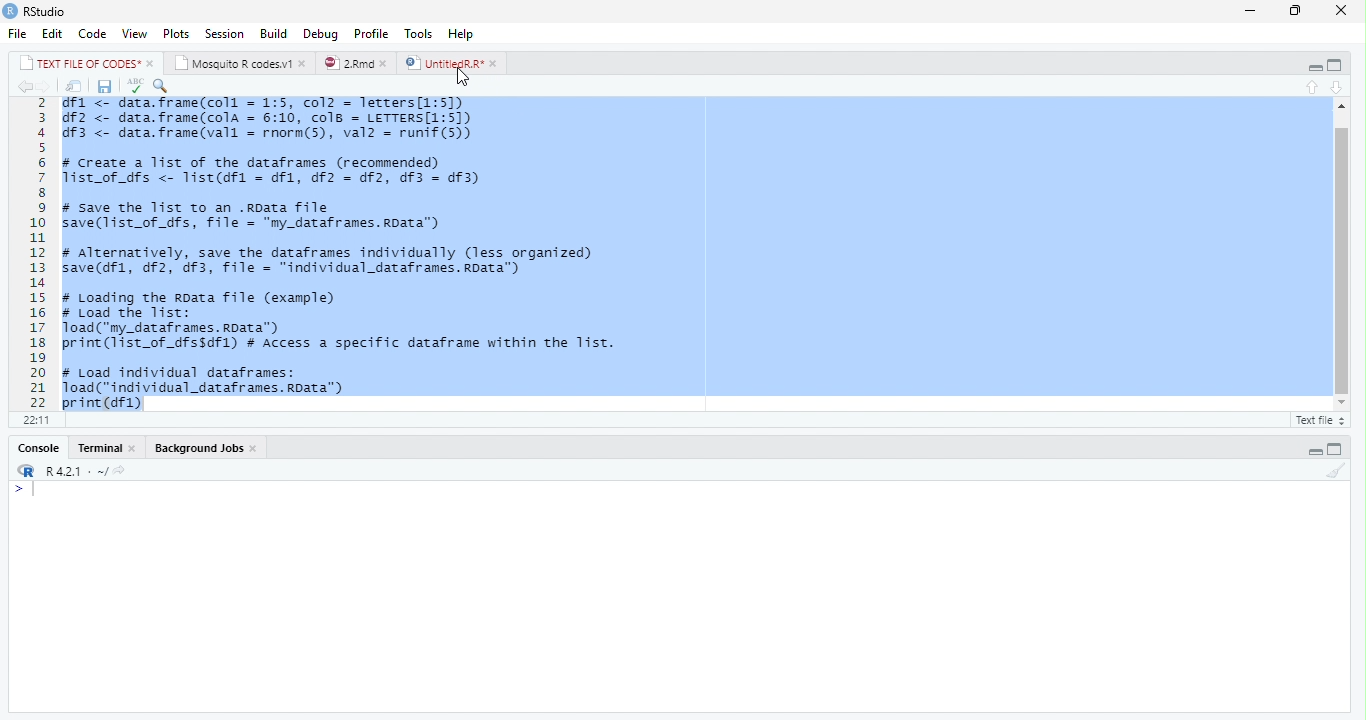 This screenshot has width=1366, height=720. Describe the element at coordinates (176, 33) in the screenshot. I see `Plots` at that location.